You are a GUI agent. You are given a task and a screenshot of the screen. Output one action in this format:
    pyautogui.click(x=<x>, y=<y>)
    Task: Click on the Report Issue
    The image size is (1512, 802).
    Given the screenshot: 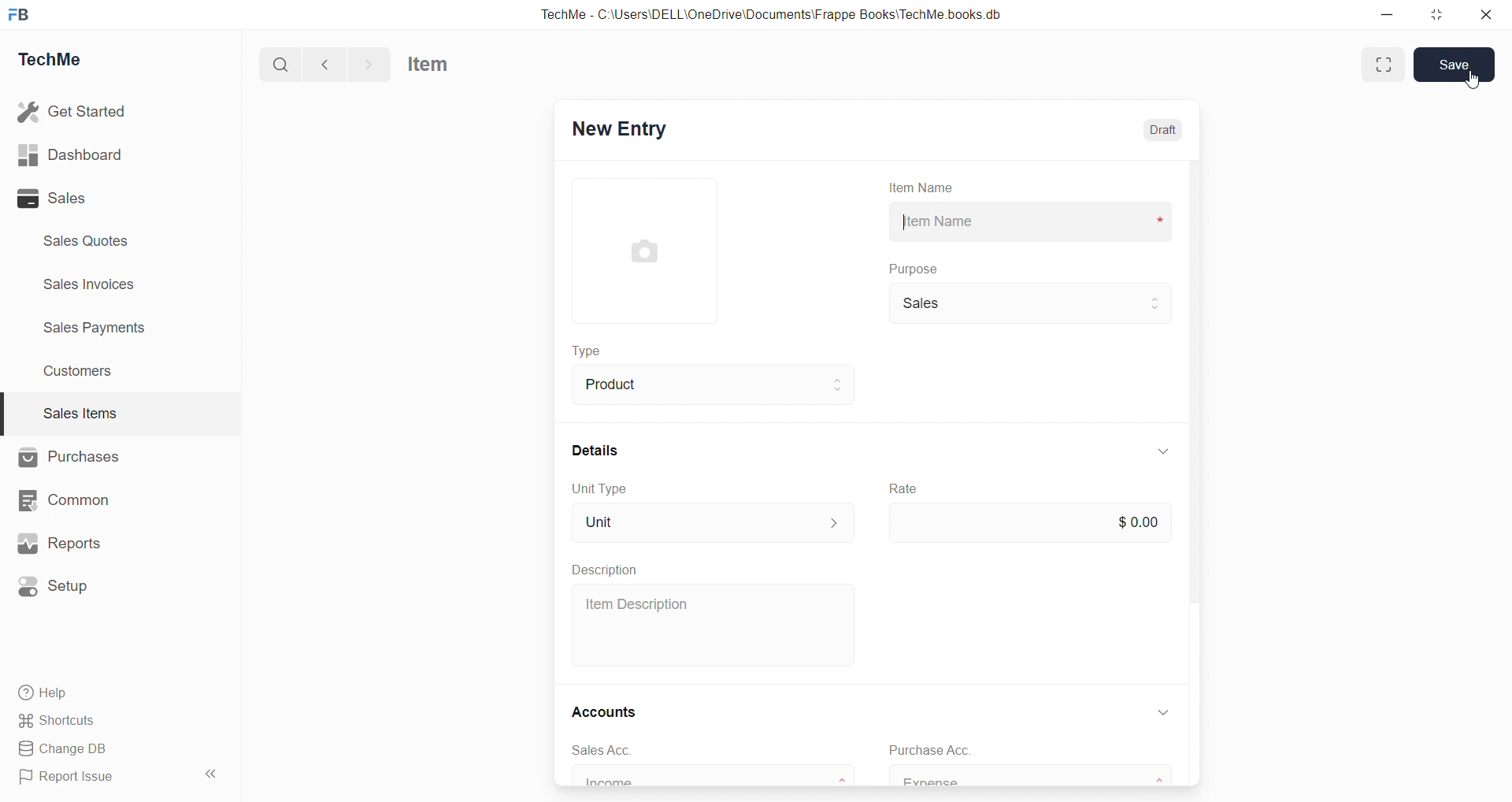 What is the action you would take?
    pyautogui.click(x=70, y=778)
    